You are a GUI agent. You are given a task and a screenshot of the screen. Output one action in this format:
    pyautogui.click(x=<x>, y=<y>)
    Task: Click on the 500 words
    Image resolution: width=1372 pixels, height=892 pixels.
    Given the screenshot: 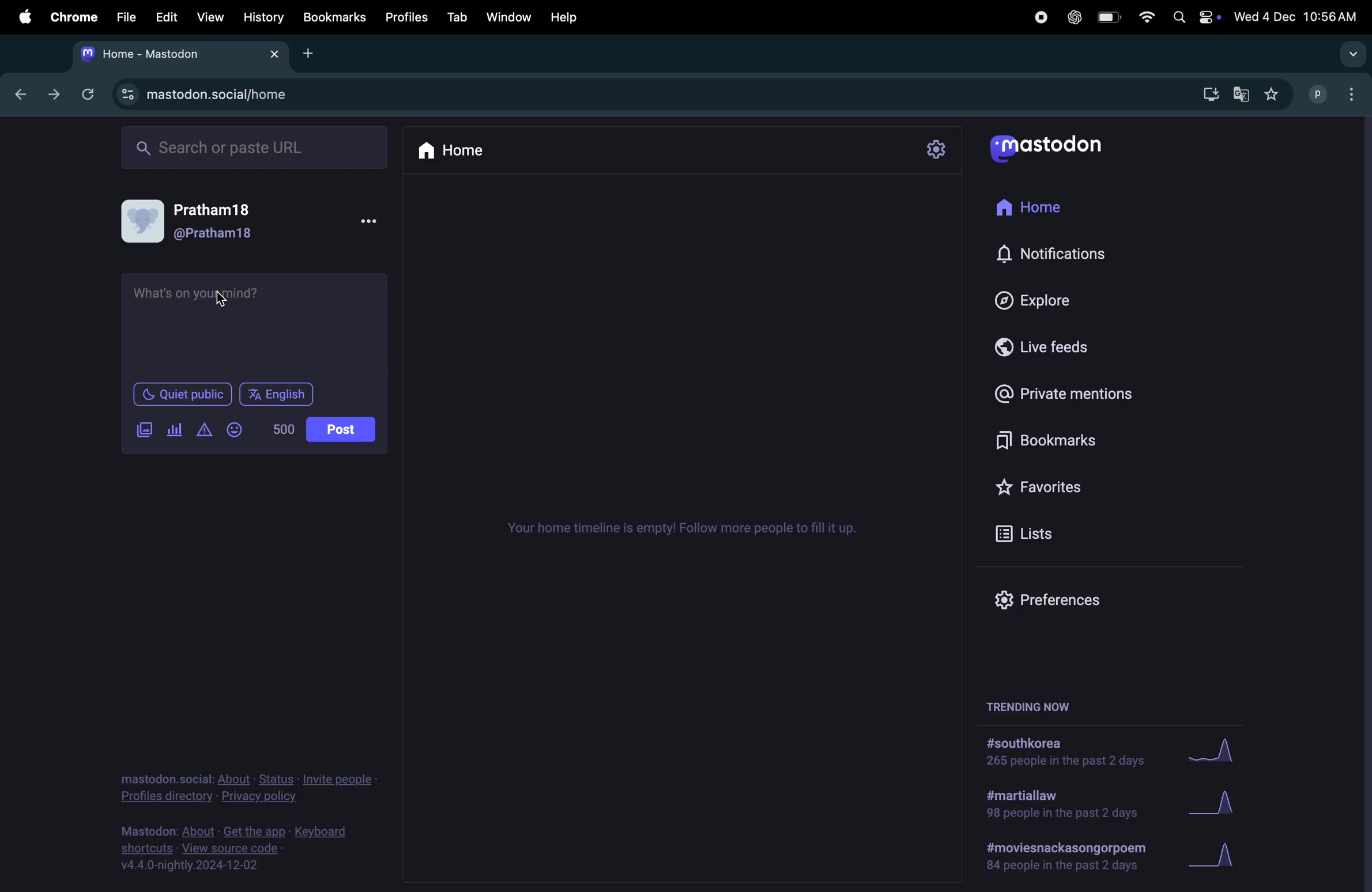 What is the action you would take?
    pyautogui.click(x=284, y=430)
    